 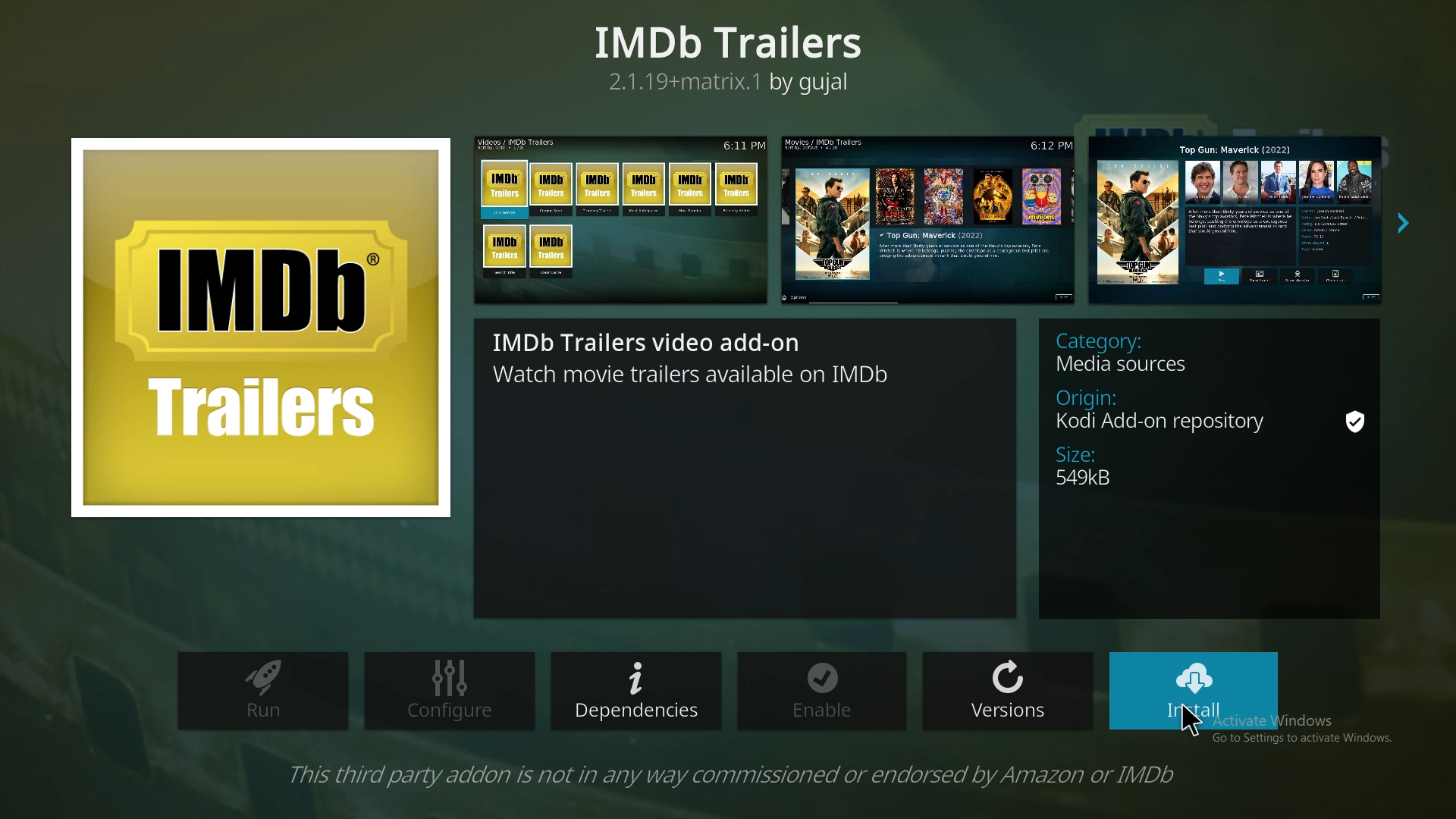 I want to click on secured, so click(x=1354, y=424).